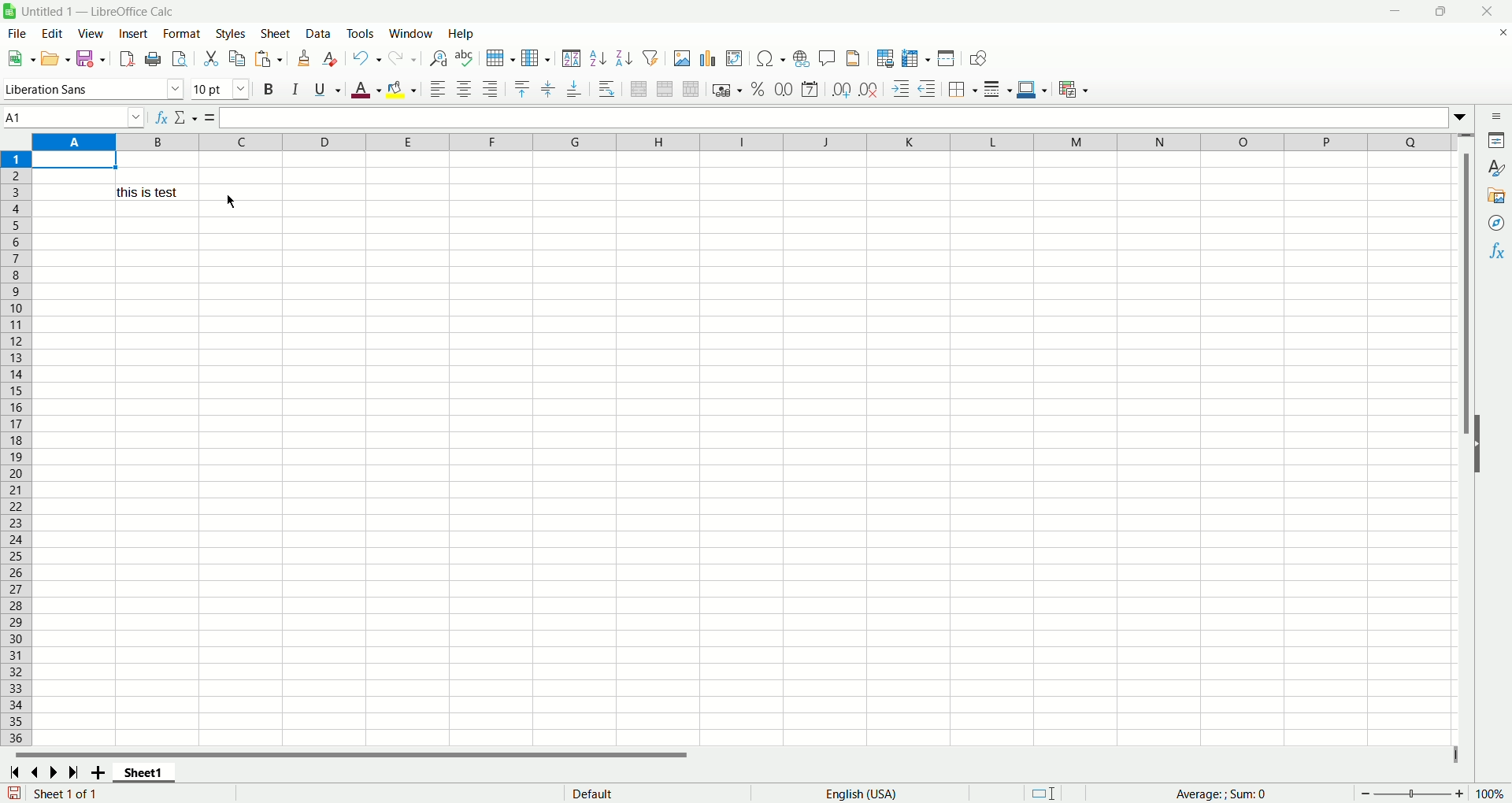 This screenshot has width=1512, height=803. What do you see at coordinates (1396, 12) in the screenshot?
I see `minimize` at bounding box center [1396, 12].